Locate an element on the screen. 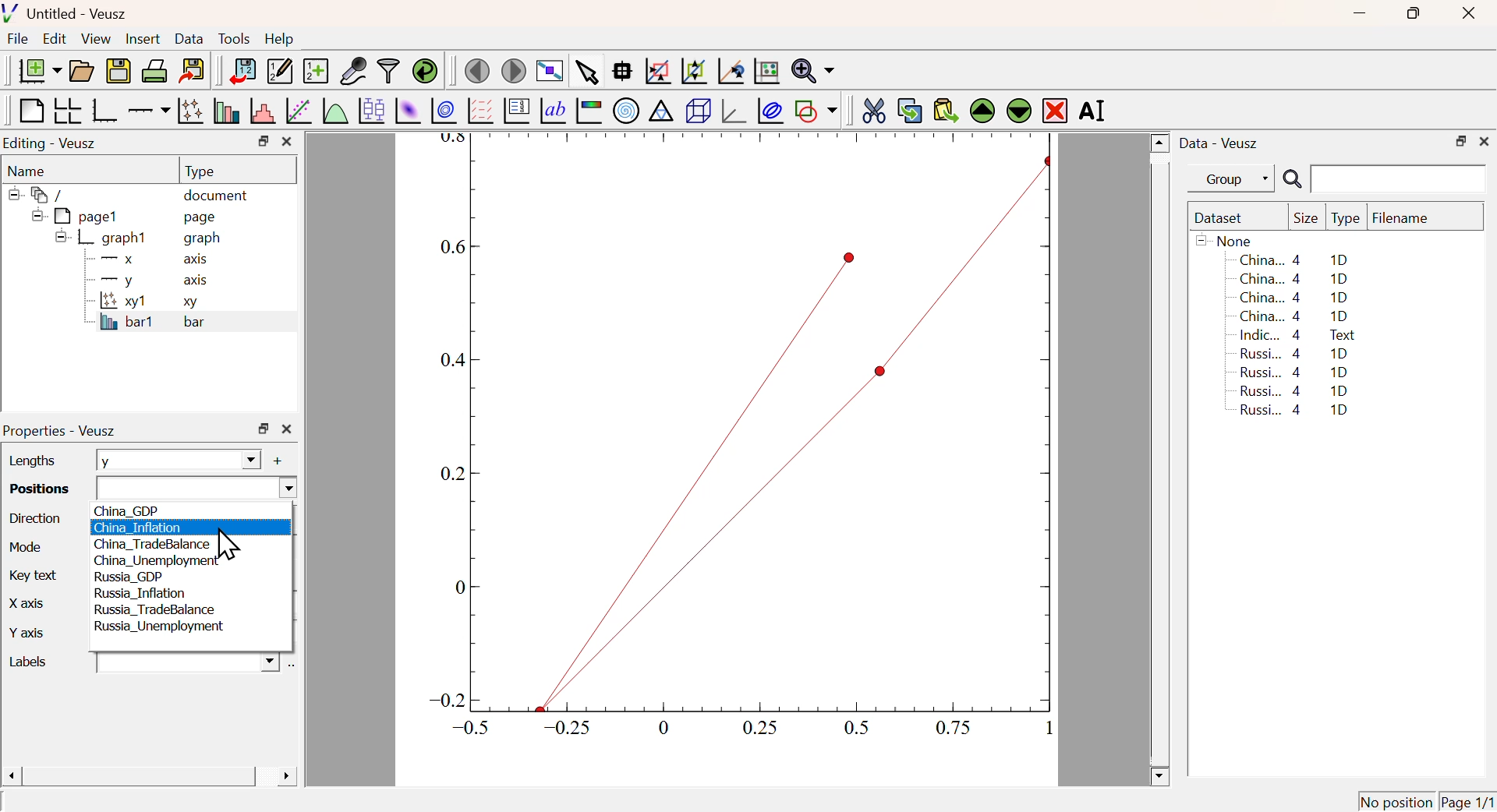 Image resolution: width=1497 pixels, height=812 pixels. Data - Veusz is located at coordinates (1222, 144).